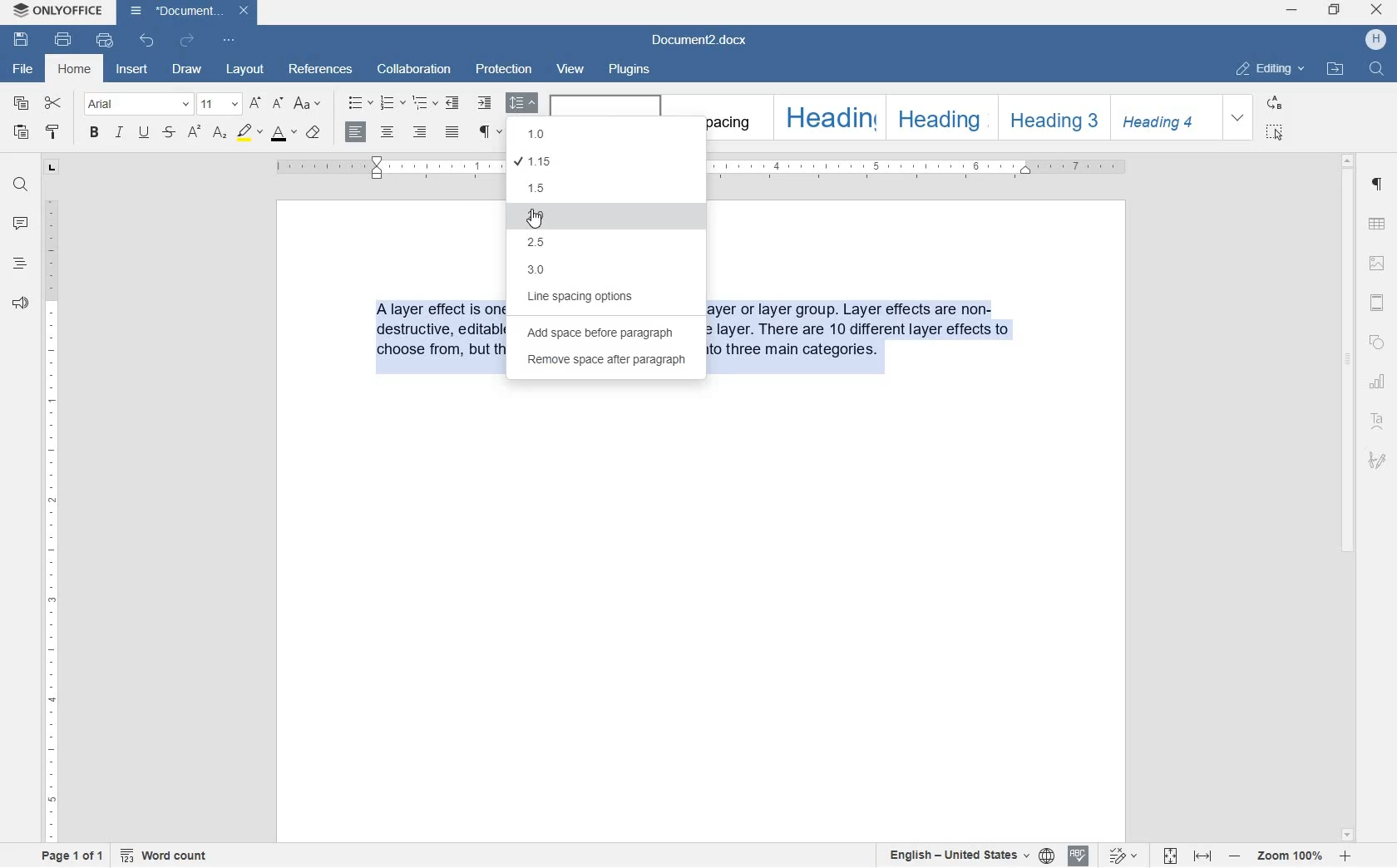 This screenshot has width=1397, height=868. Describe the element at coordinates (1166, 118) in the screenshot. I see `heading 4` at that location.